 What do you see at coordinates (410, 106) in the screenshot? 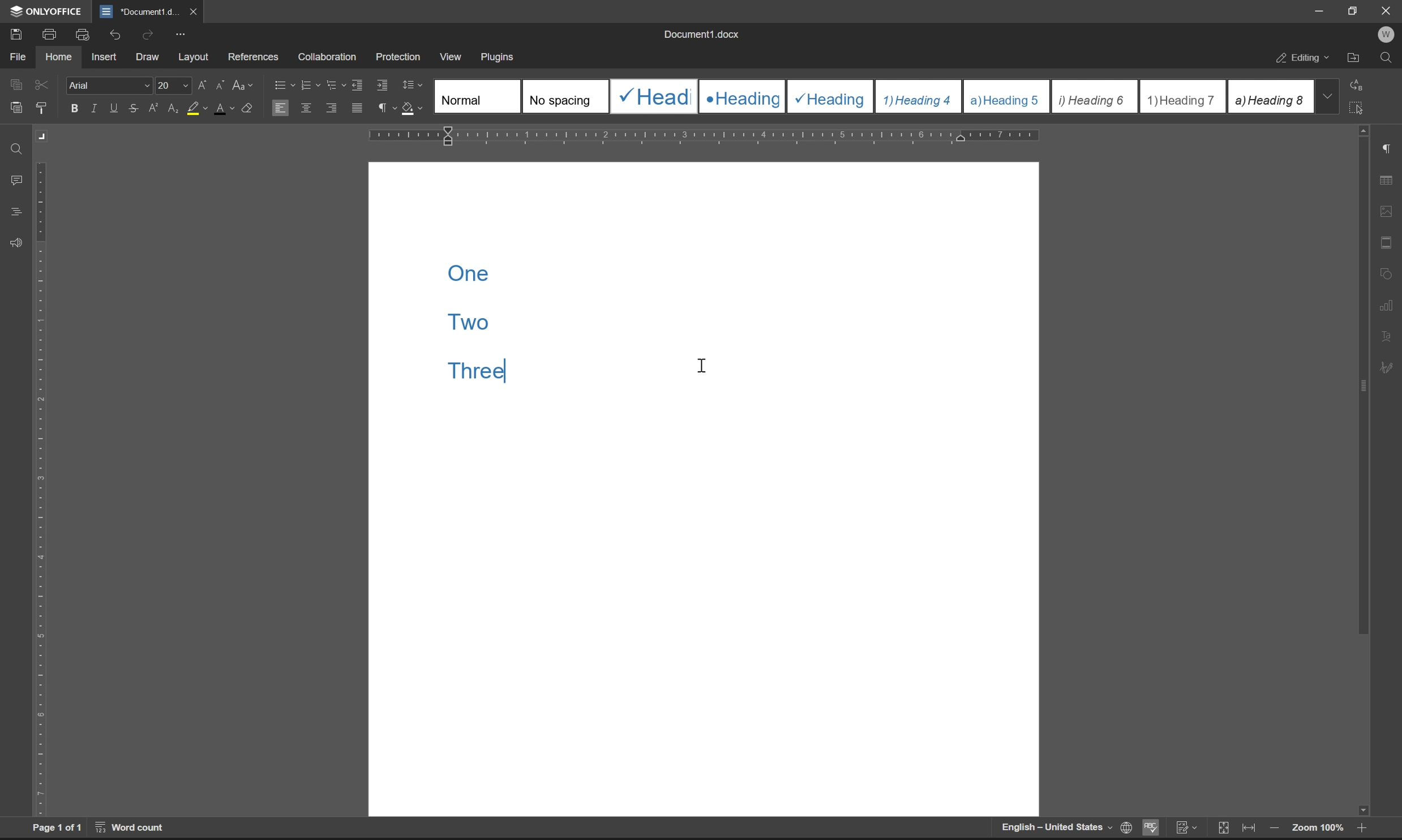
I see `shading` at bounding box center [410, 106].